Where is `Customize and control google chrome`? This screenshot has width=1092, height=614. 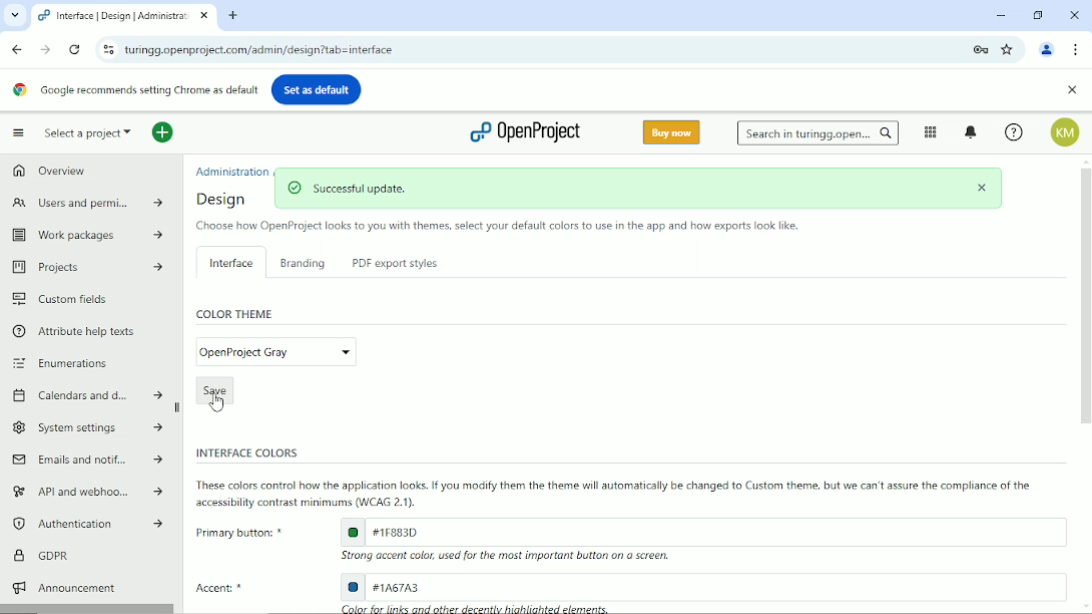
Customize and control google chrome is located at coordinates (1076, 50).